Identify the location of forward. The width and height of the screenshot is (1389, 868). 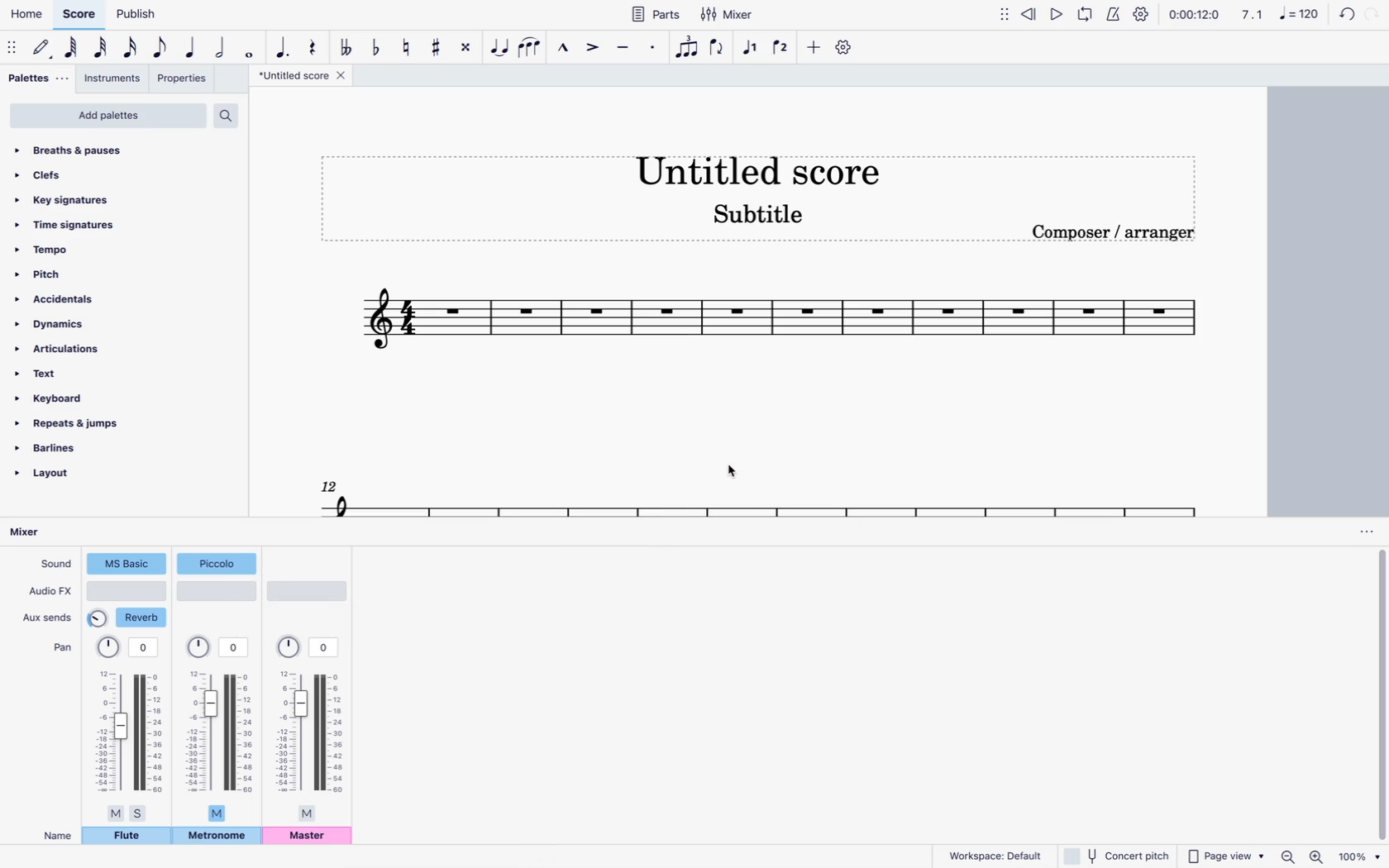
(1376, 13).